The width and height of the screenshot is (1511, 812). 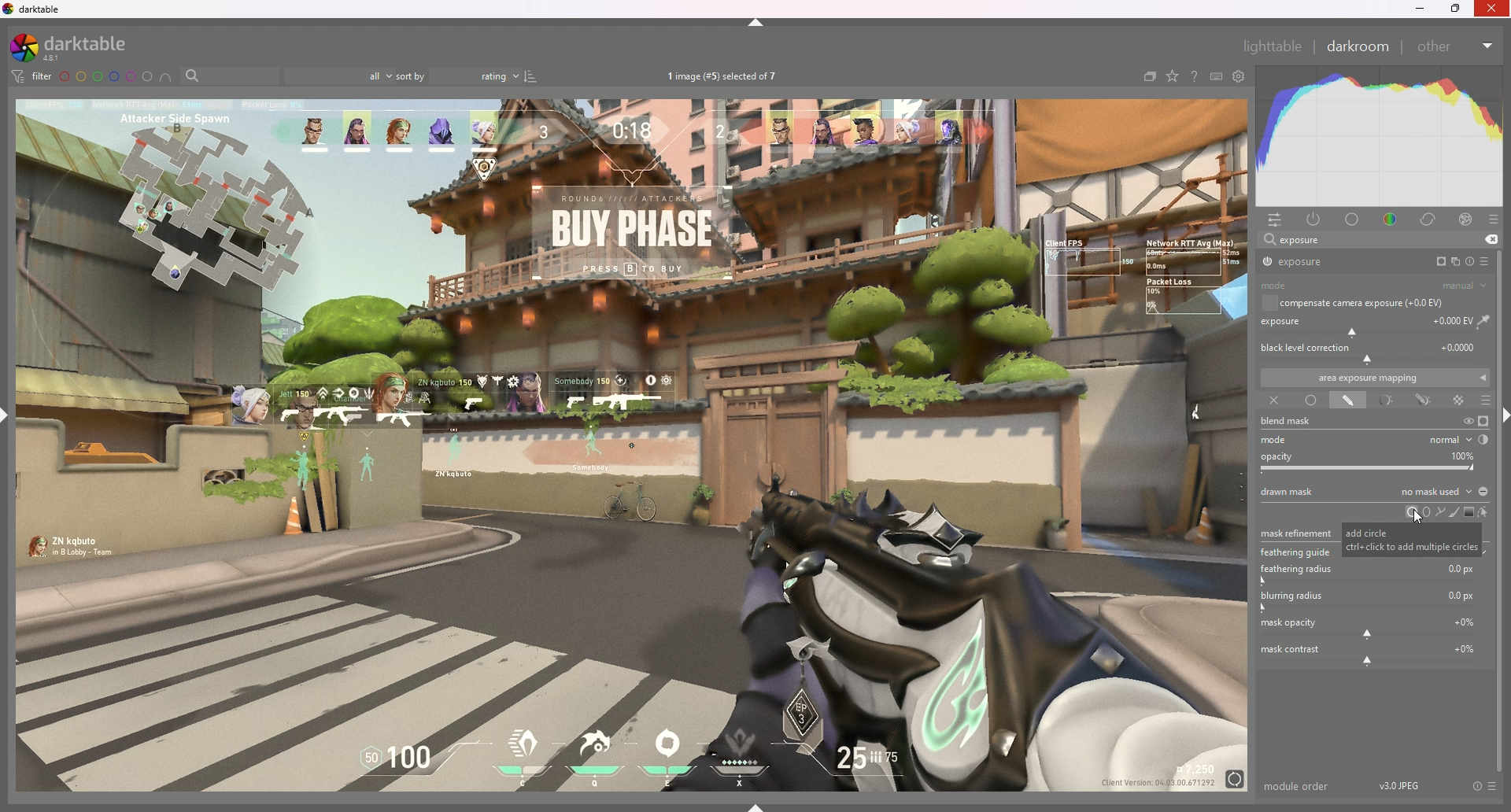 What do you see at coordinates (1173, 76) in the screenshot?
I see `change type of overlays` at bounding box center [1173, 76].